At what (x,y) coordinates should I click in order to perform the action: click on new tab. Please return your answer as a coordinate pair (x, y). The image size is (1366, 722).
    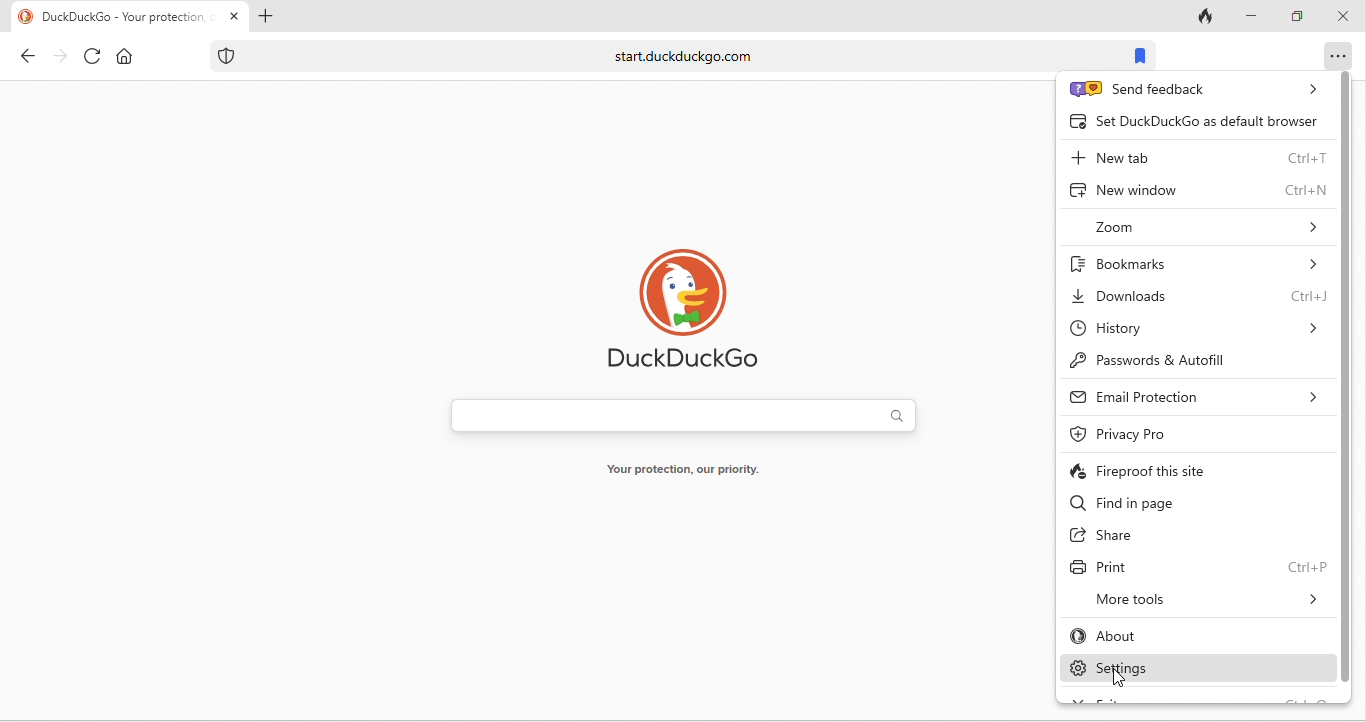
    Looking at the image, I should click on (1196, 156).